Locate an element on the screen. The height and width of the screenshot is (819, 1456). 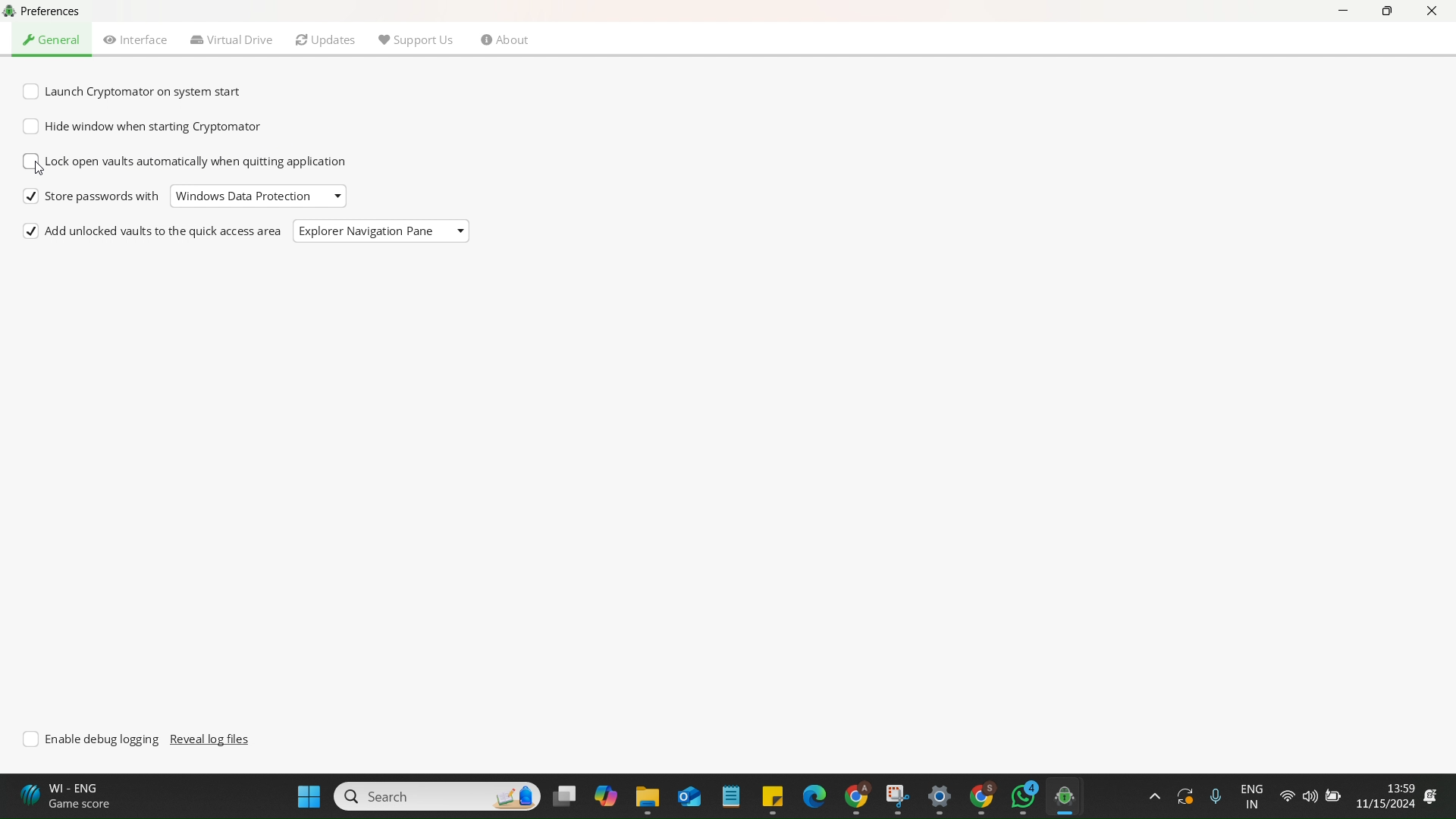
Updates is located at coordinates (326, 40).